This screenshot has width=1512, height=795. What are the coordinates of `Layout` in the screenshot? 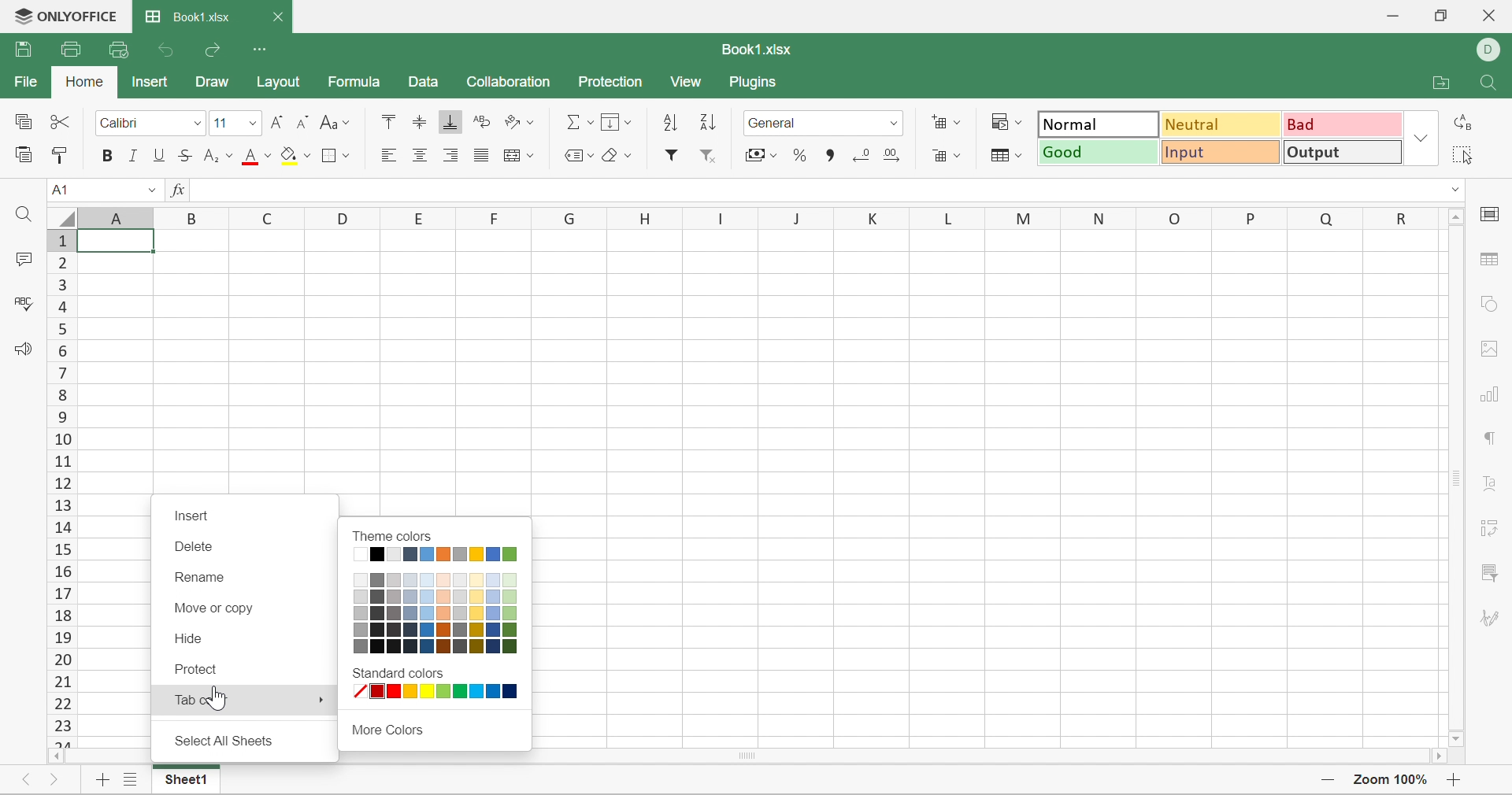 It's located at (280, 79).